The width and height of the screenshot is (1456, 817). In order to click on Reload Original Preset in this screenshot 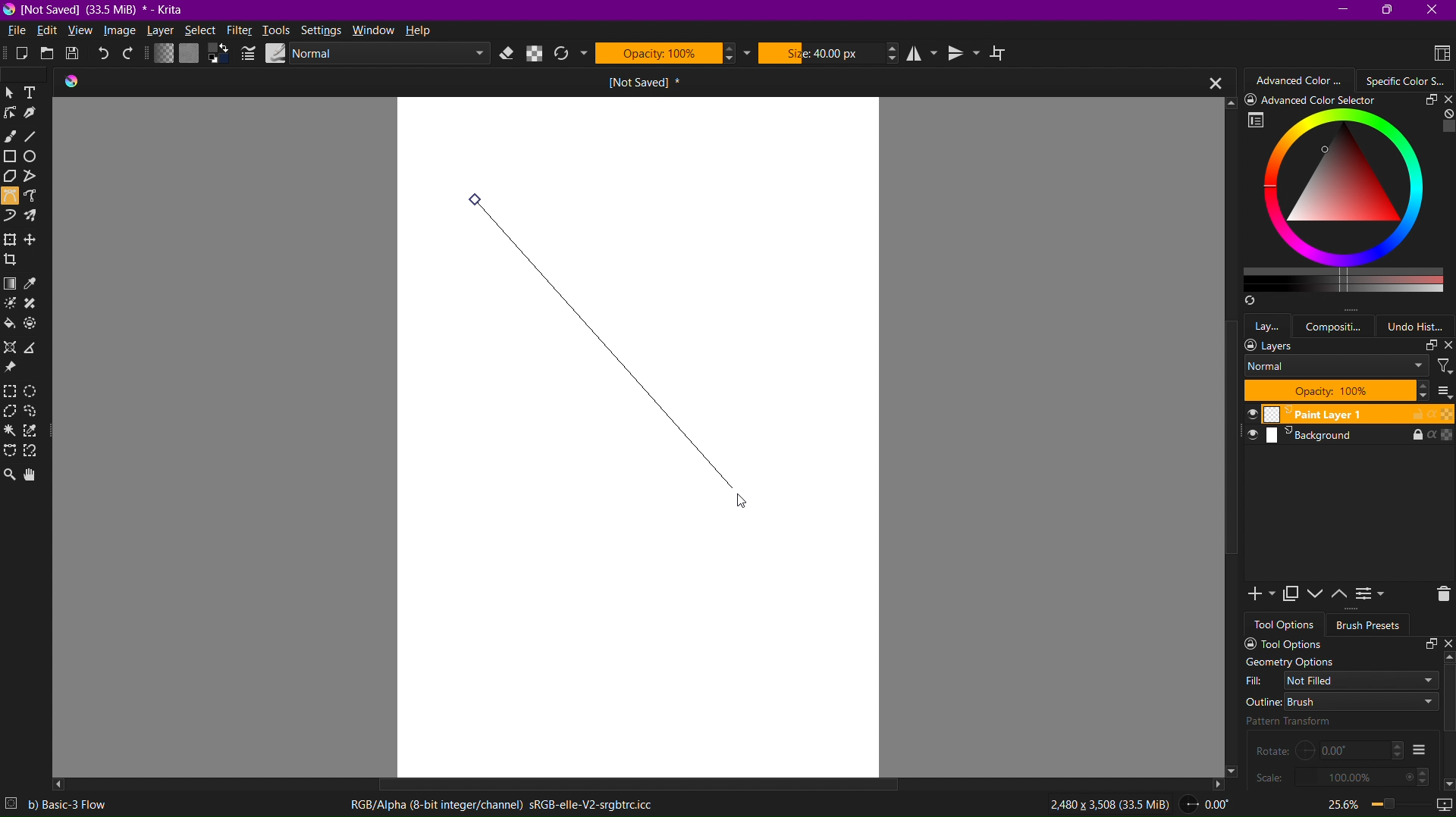, I will do `click(569, 55)`.